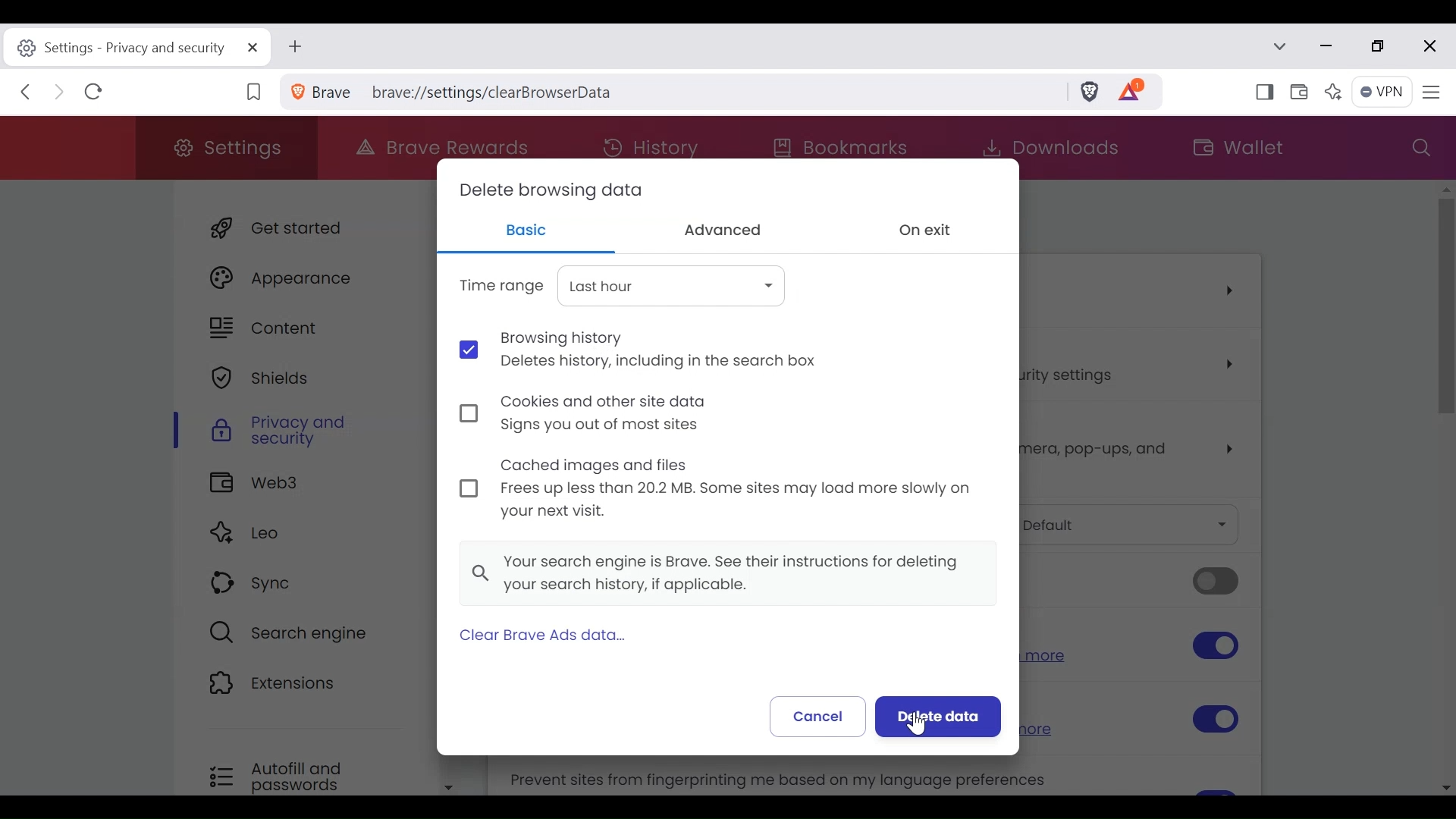 The width and height of the screenshot is (1456, 819). Describe the element at coordinates (725, 231) in the screenshot. I see `Advanced` at that location.